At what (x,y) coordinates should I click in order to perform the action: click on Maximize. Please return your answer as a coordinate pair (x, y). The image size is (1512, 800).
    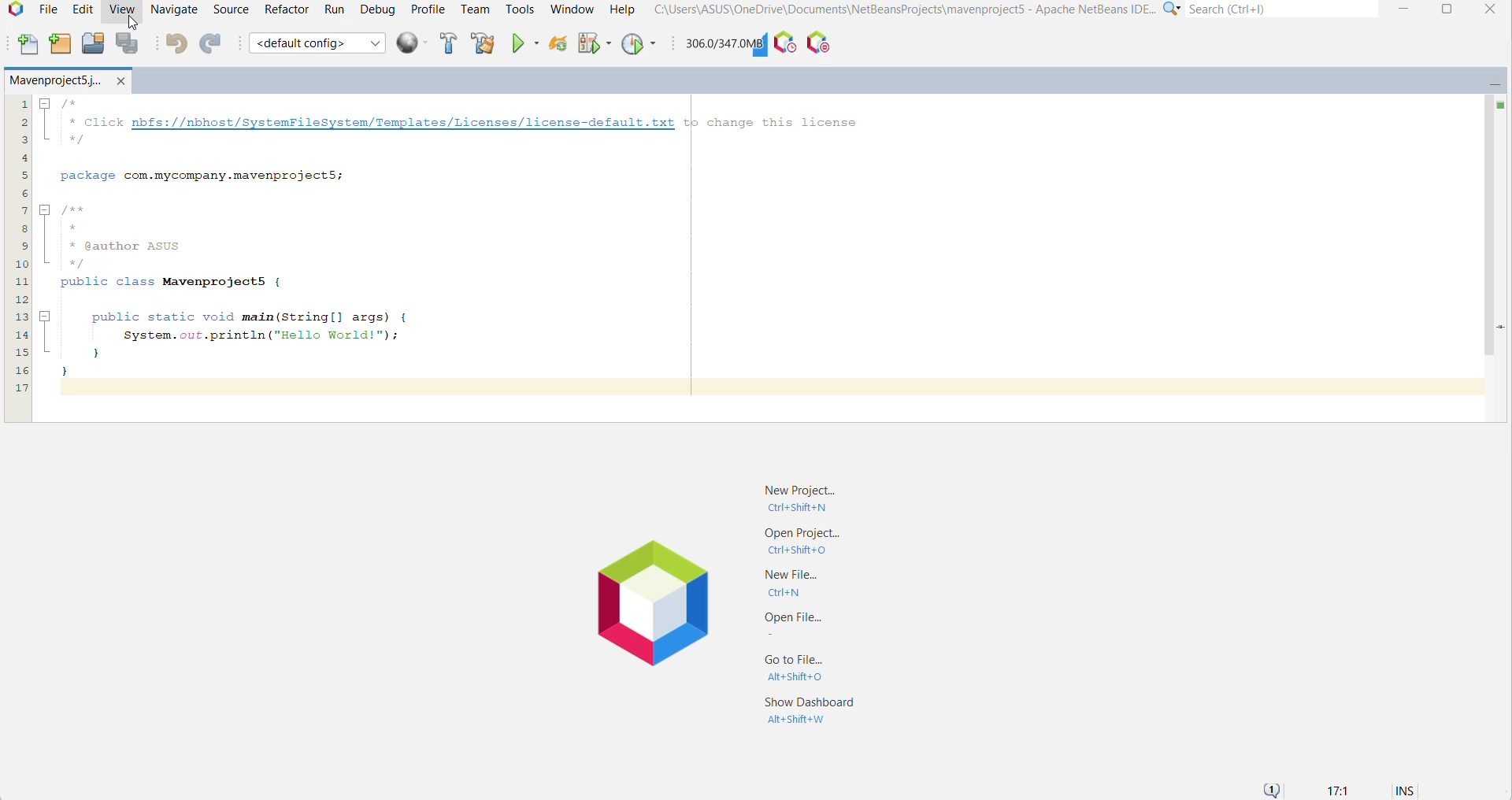
    Looking at the image, I should click on (1445, 9).